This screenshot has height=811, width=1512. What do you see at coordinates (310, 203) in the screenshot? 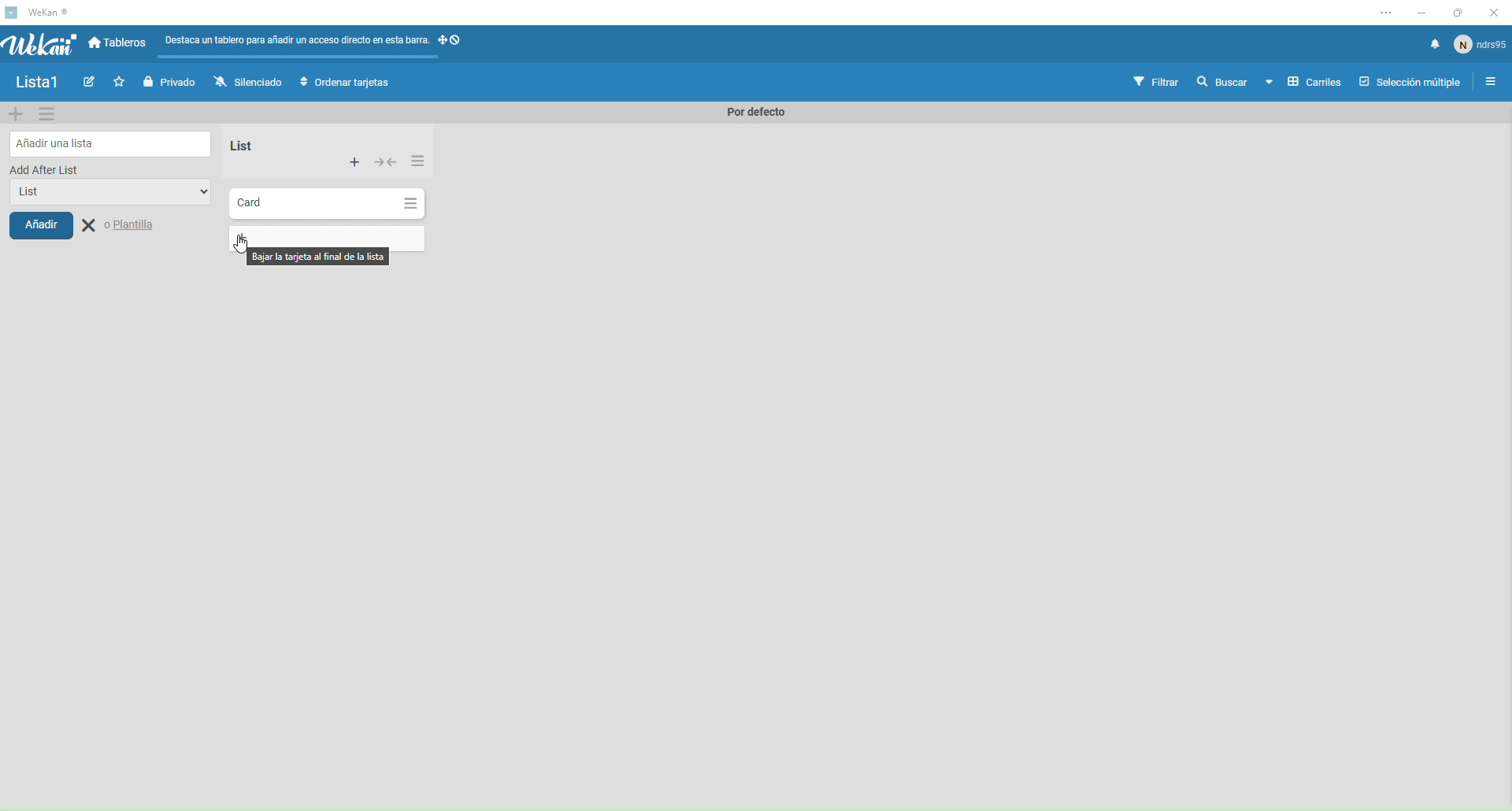
I see `Card` at bounding box center [310, 203].